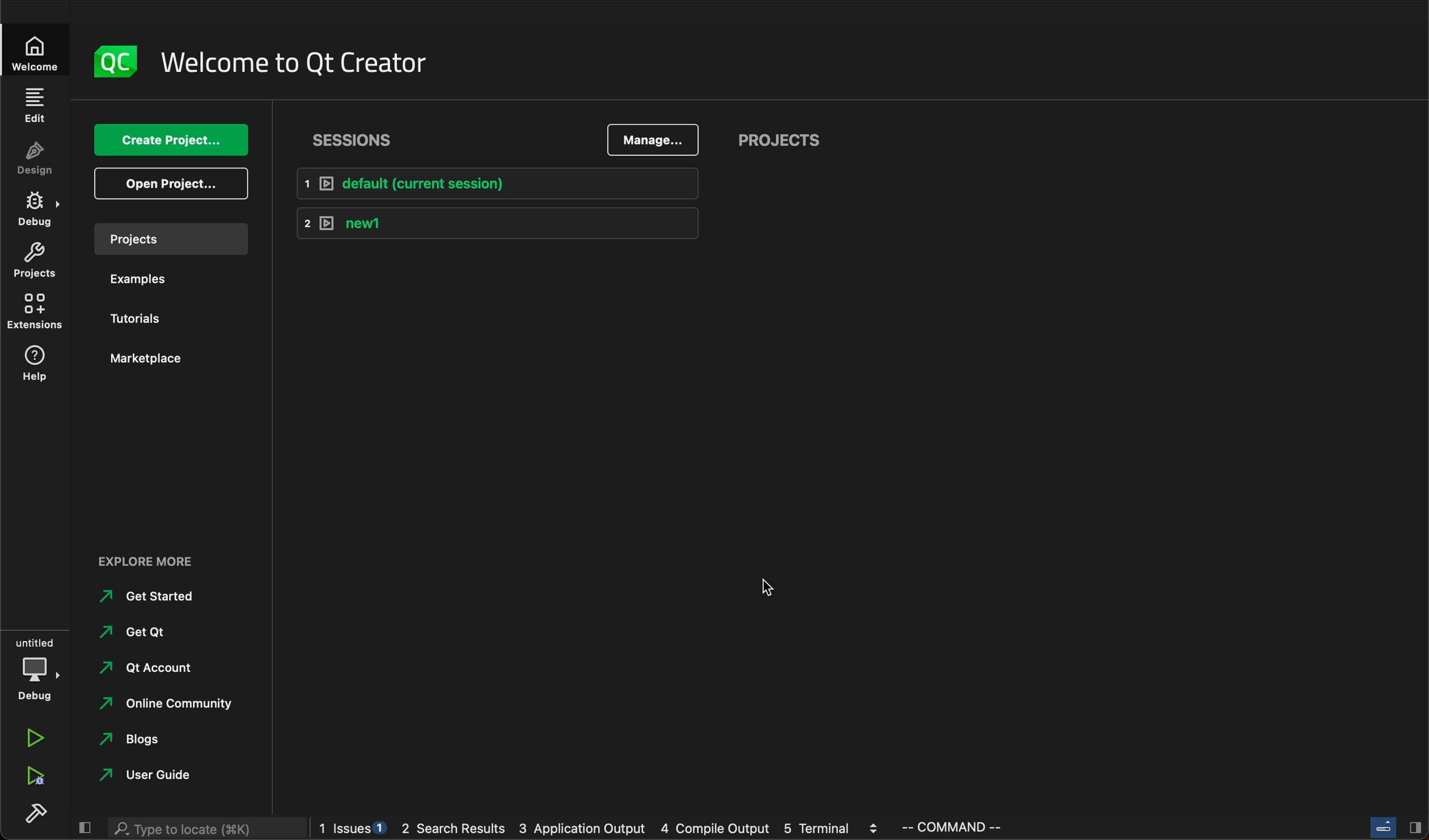 The height and width of the screenshot is (840, 1429). What do you see at coordinates (139, 320) in the screenshot?
I see `tutorials` at bounding box center [139, 320].